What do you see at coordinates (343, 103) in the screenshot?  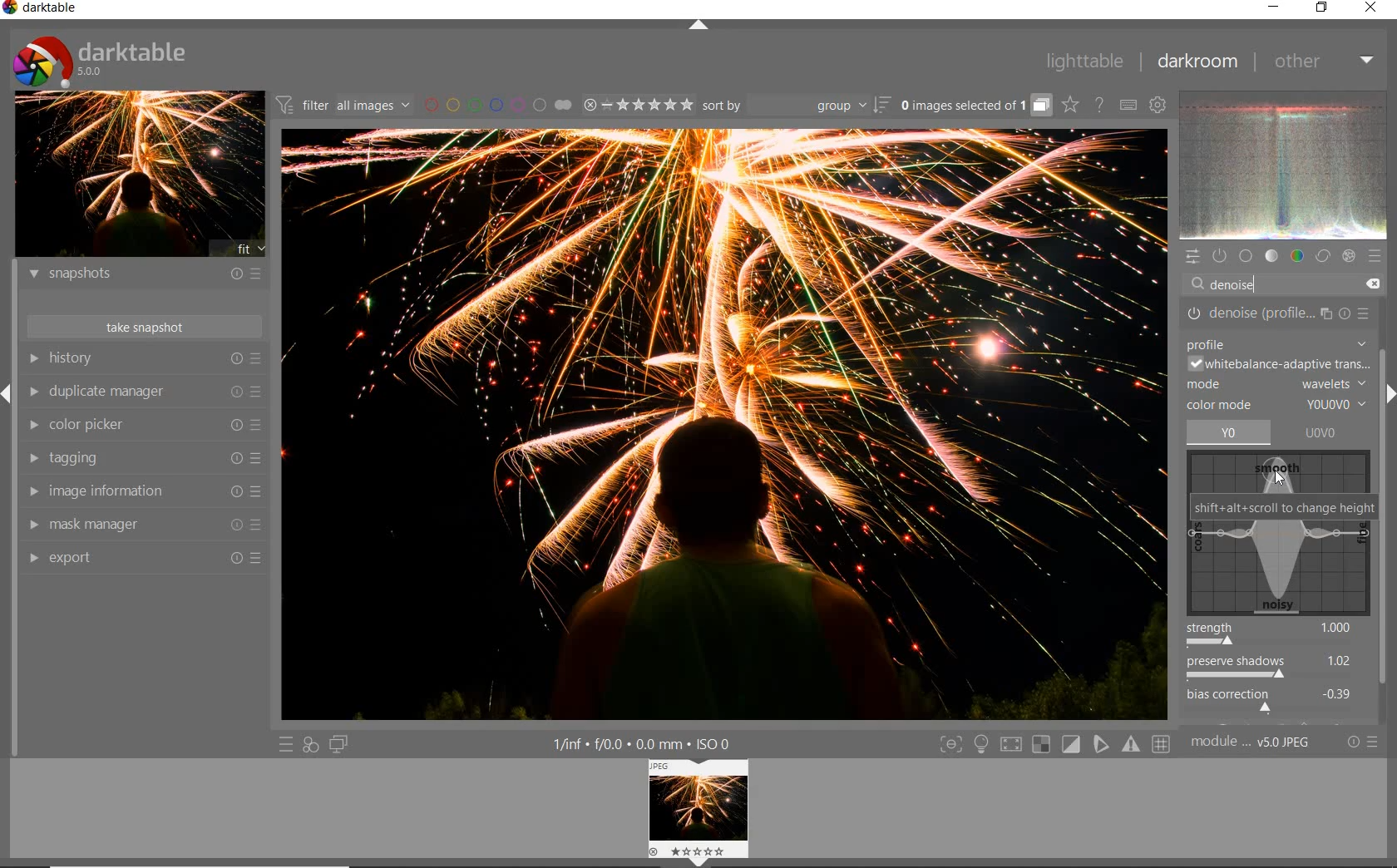 I see `filter all images by module order` at bounding box center [343, 103].